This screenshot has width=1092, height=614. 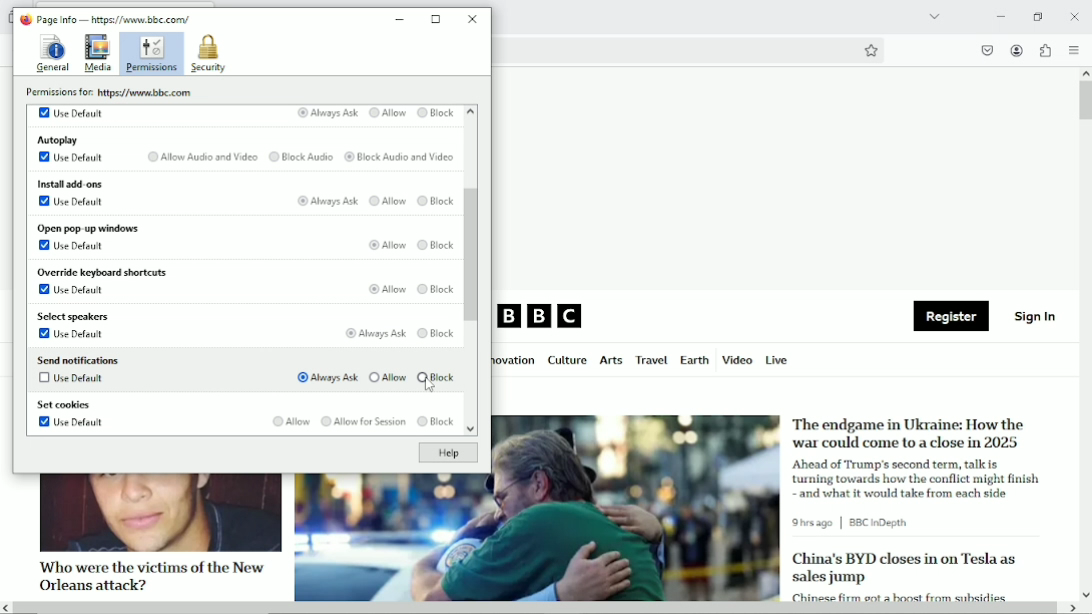 I want to click on Horizontal scrollbar, so click(x=537, y=609).